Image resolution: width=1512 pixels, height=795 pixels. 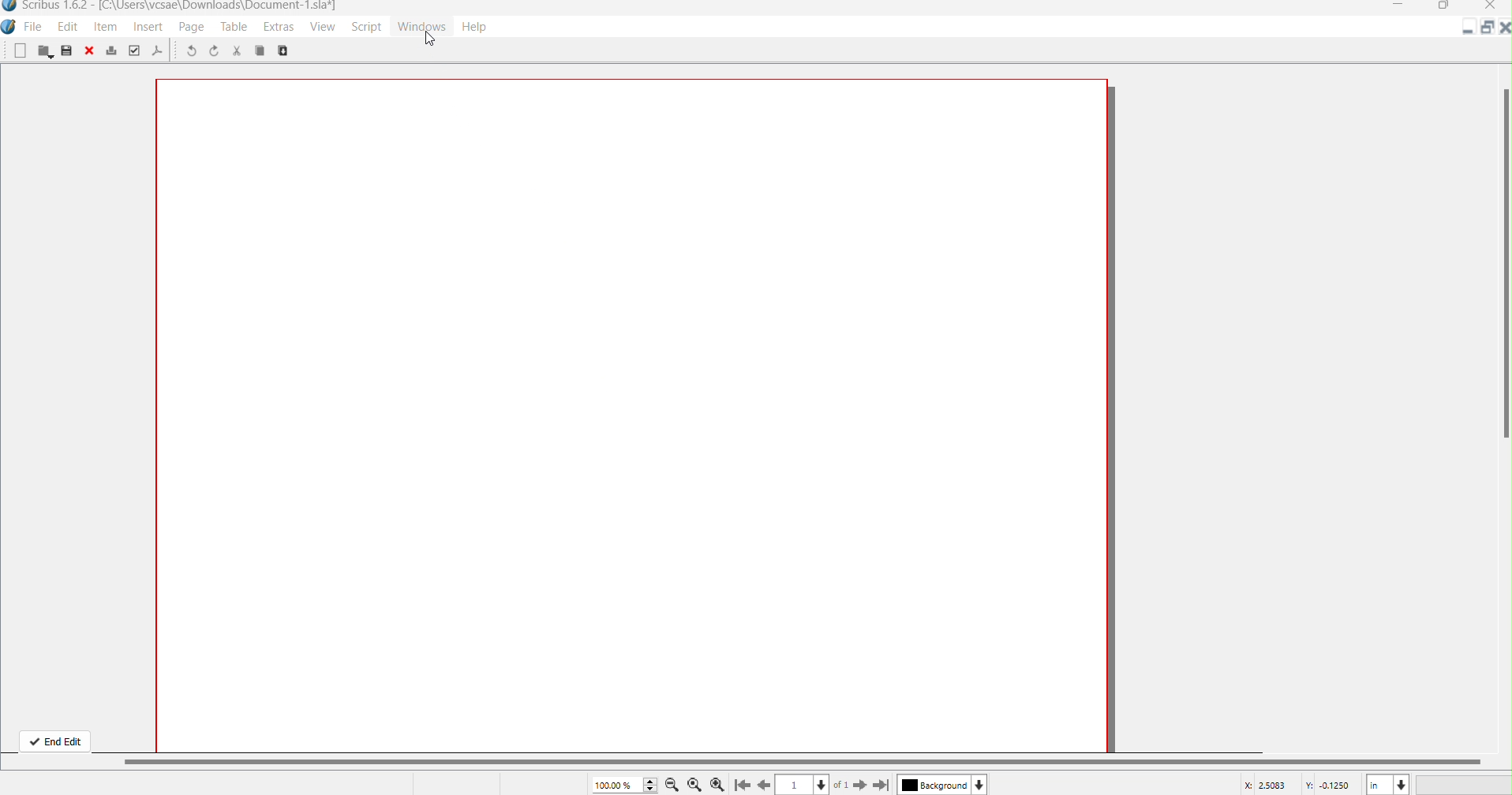 What do you see at coordinates (421, 27) in the screenshot?
I see `Windows` at bounding box center [421, 27].